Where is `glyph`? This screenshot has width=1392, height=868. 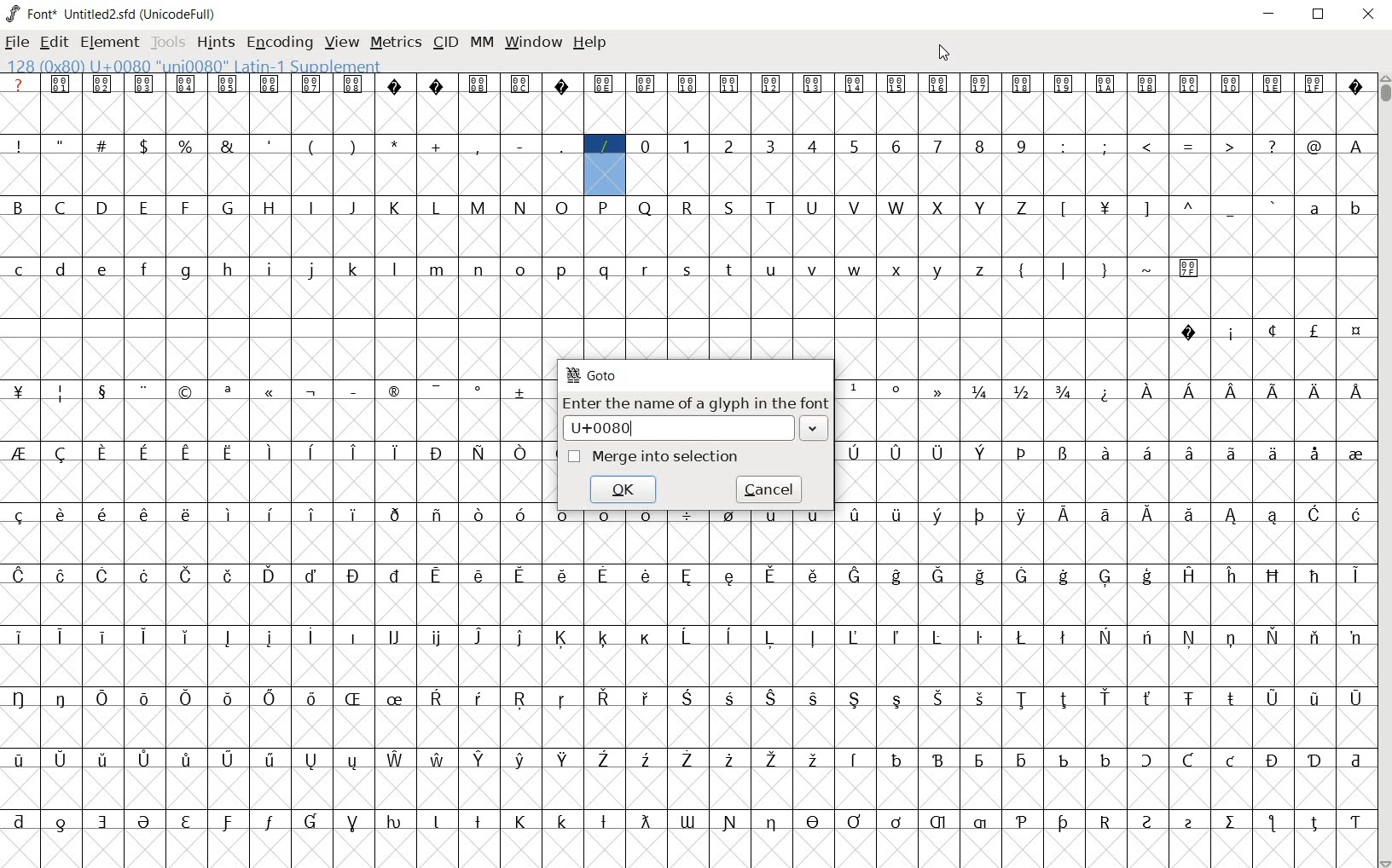
glyph is located at coordinates (437, 147).